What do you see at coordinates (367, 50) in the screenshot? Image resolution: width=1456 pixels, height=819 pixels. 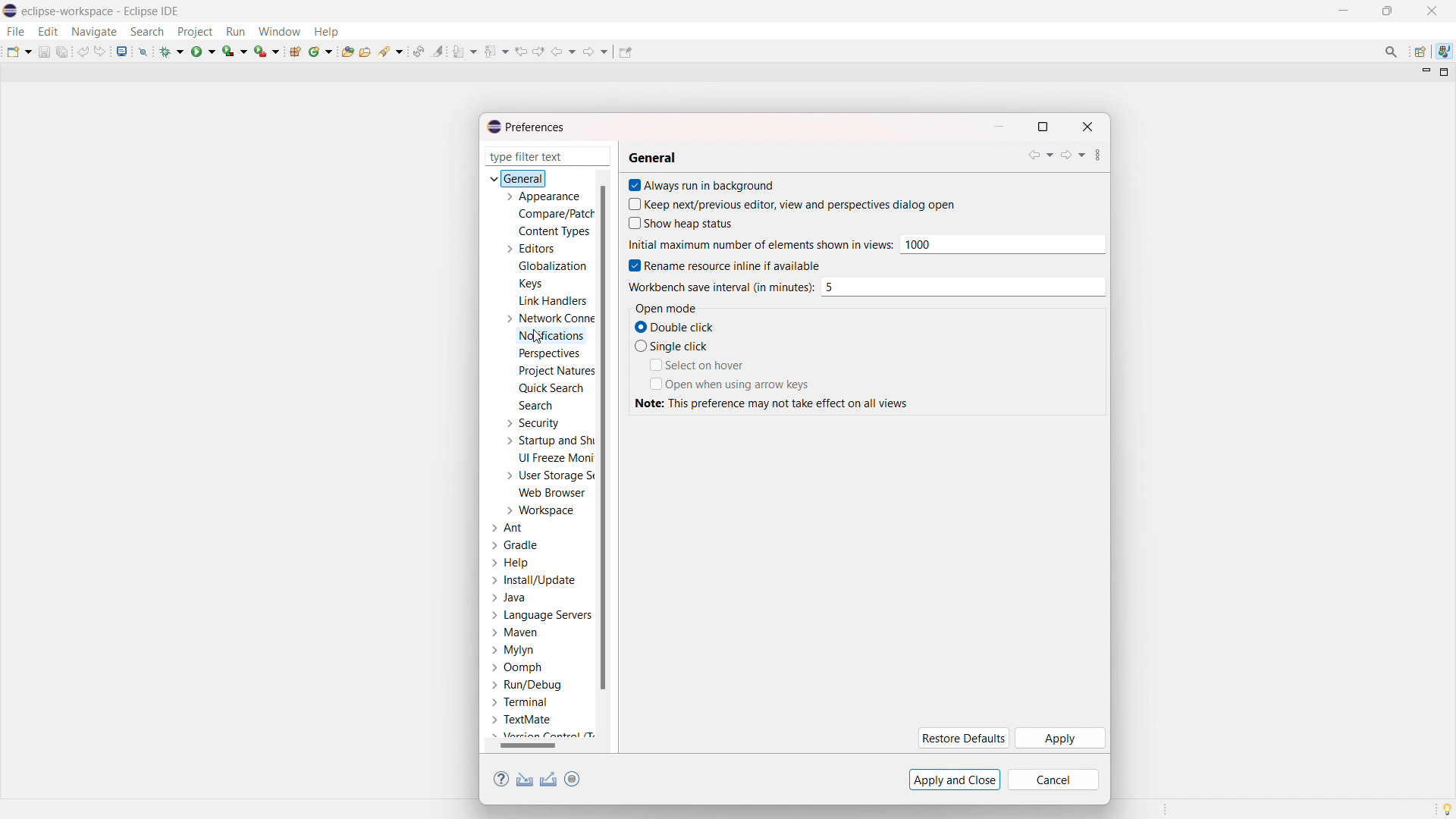 I see `open task` at bounding box center [367, 50].